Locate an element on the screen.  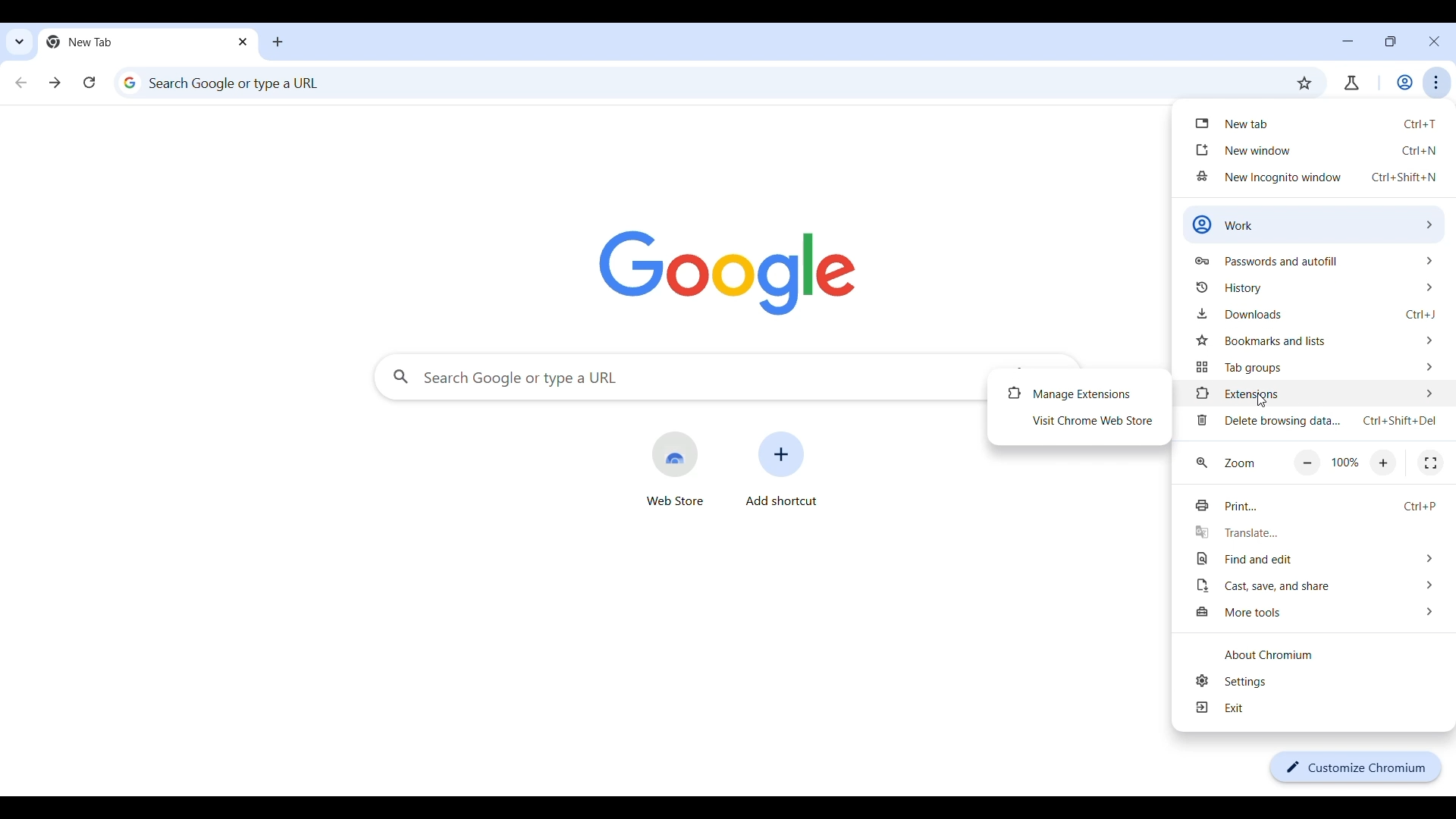
Zoom is located at coordinates (1239, 463).